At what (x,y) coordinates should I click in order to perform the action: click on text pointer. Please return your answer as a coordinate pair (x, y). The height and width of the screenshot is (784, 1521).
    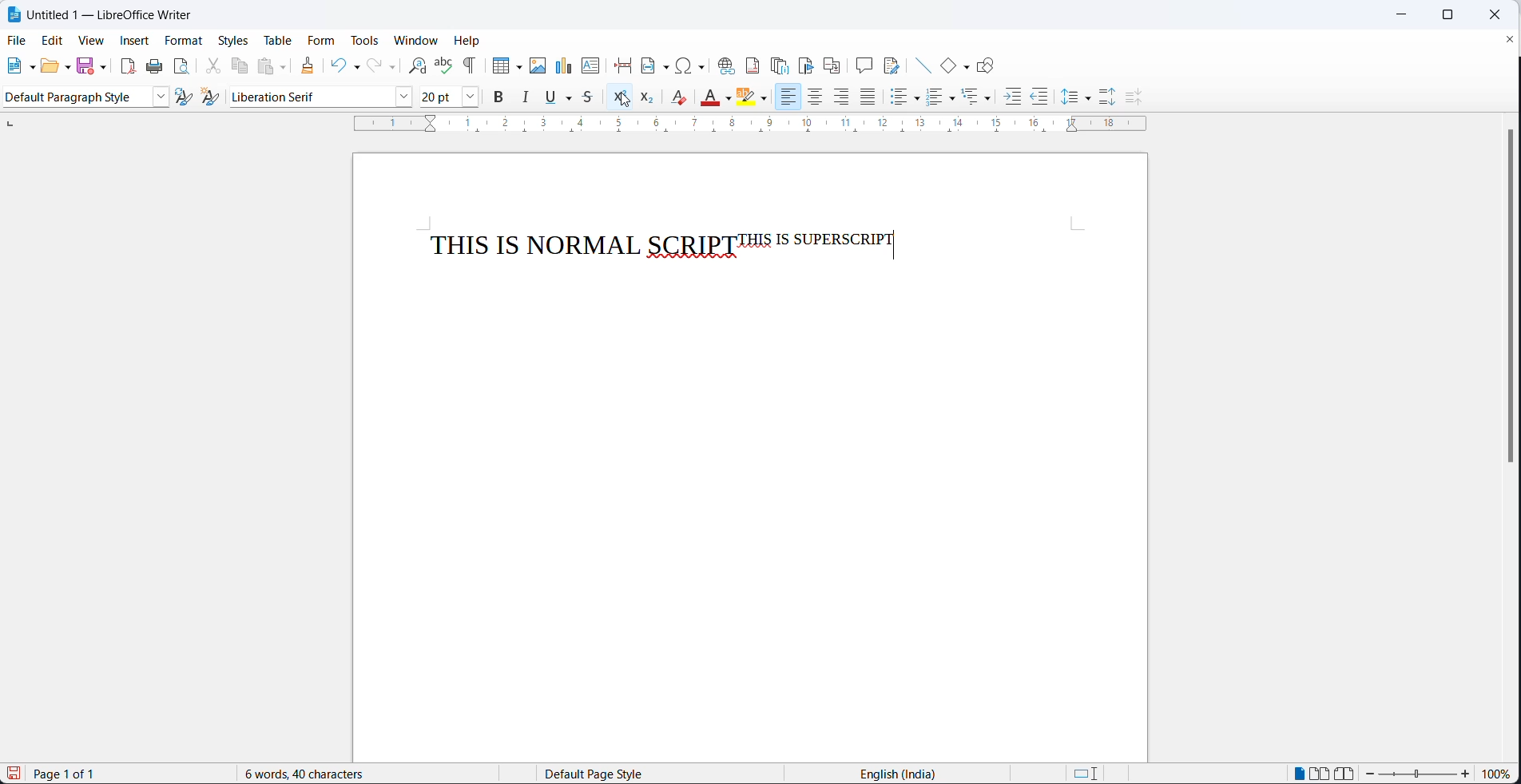
    Looking at the image, I should click on (895, 244).